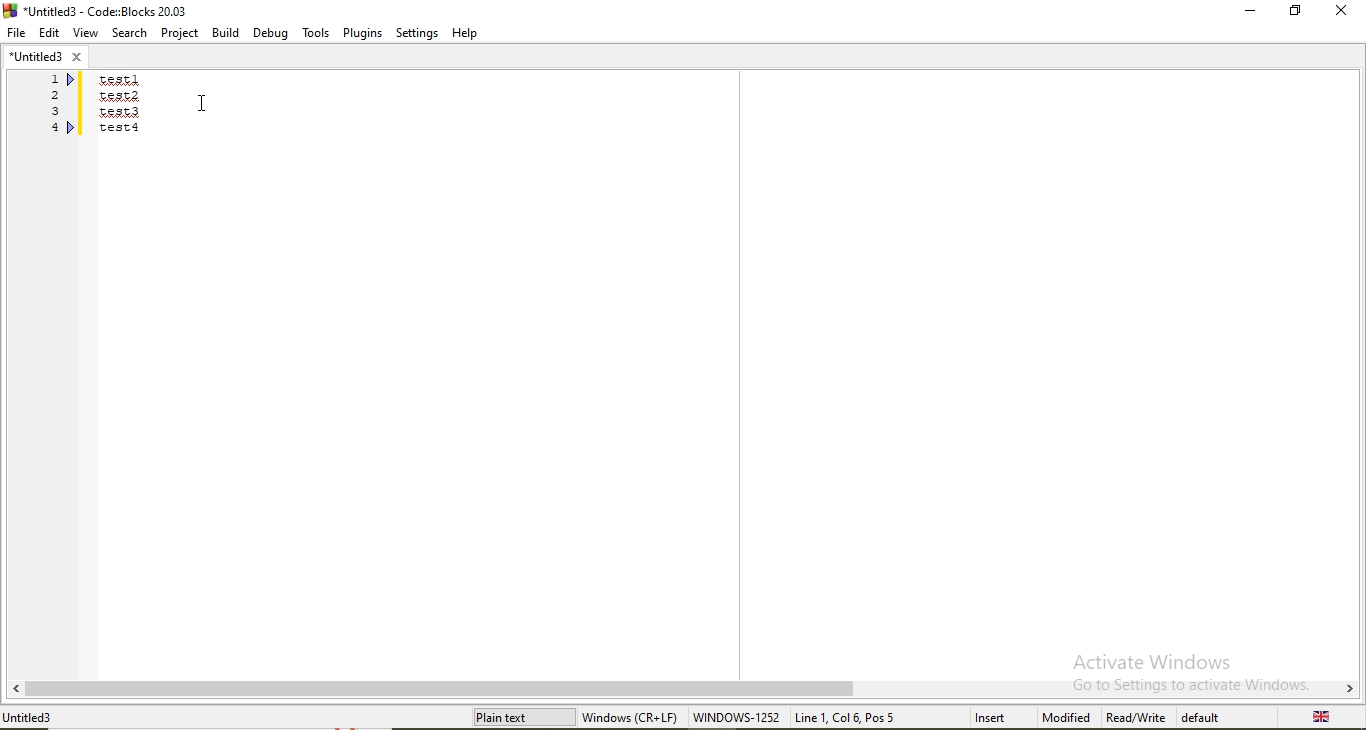 This screenshot has height=730, width=1366. I want to click on logo, so click(102, 9).